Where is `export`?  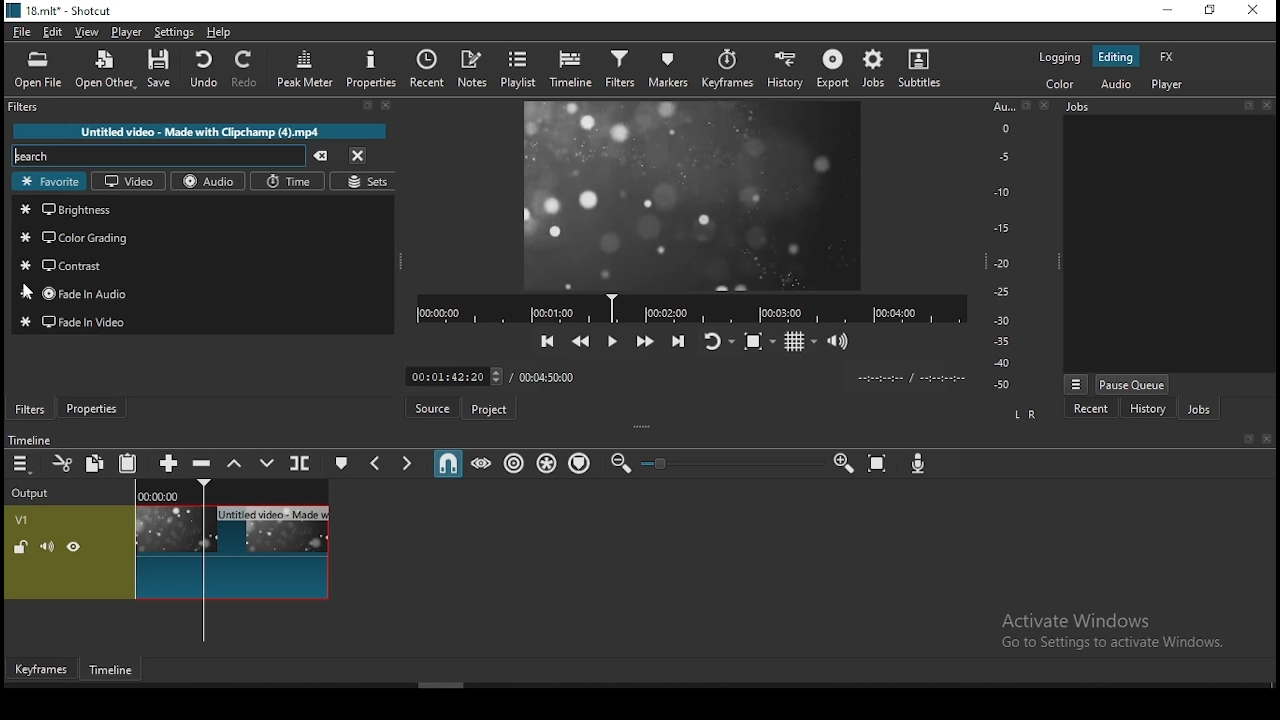
export is located at coordinates (831, 68).